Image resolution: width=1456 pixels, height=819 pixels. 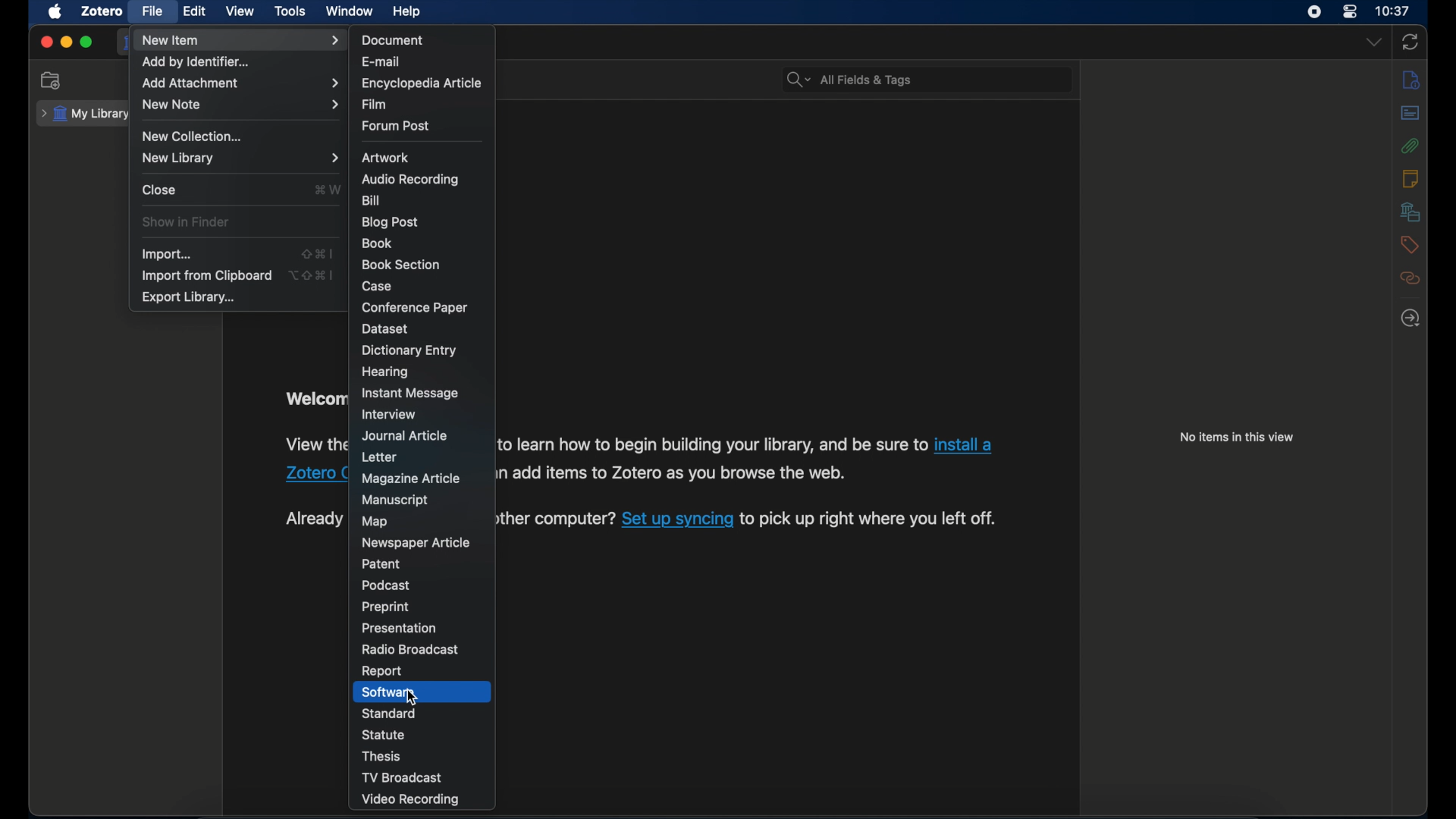 I want to click on Zotero connector link, so click(x=963, y=444).